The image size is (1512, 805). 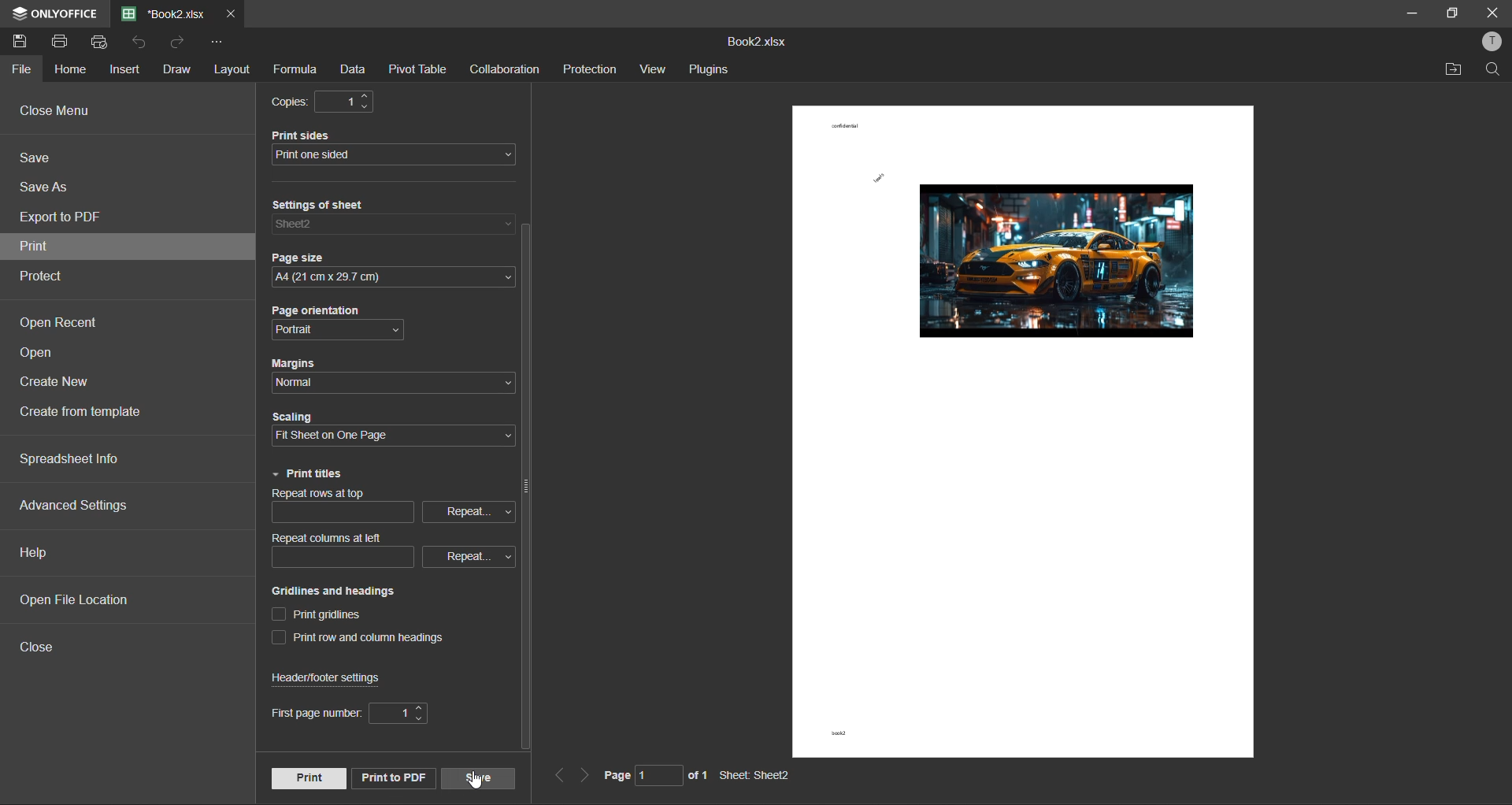 I want to click on view, so click(x=654, y=69).